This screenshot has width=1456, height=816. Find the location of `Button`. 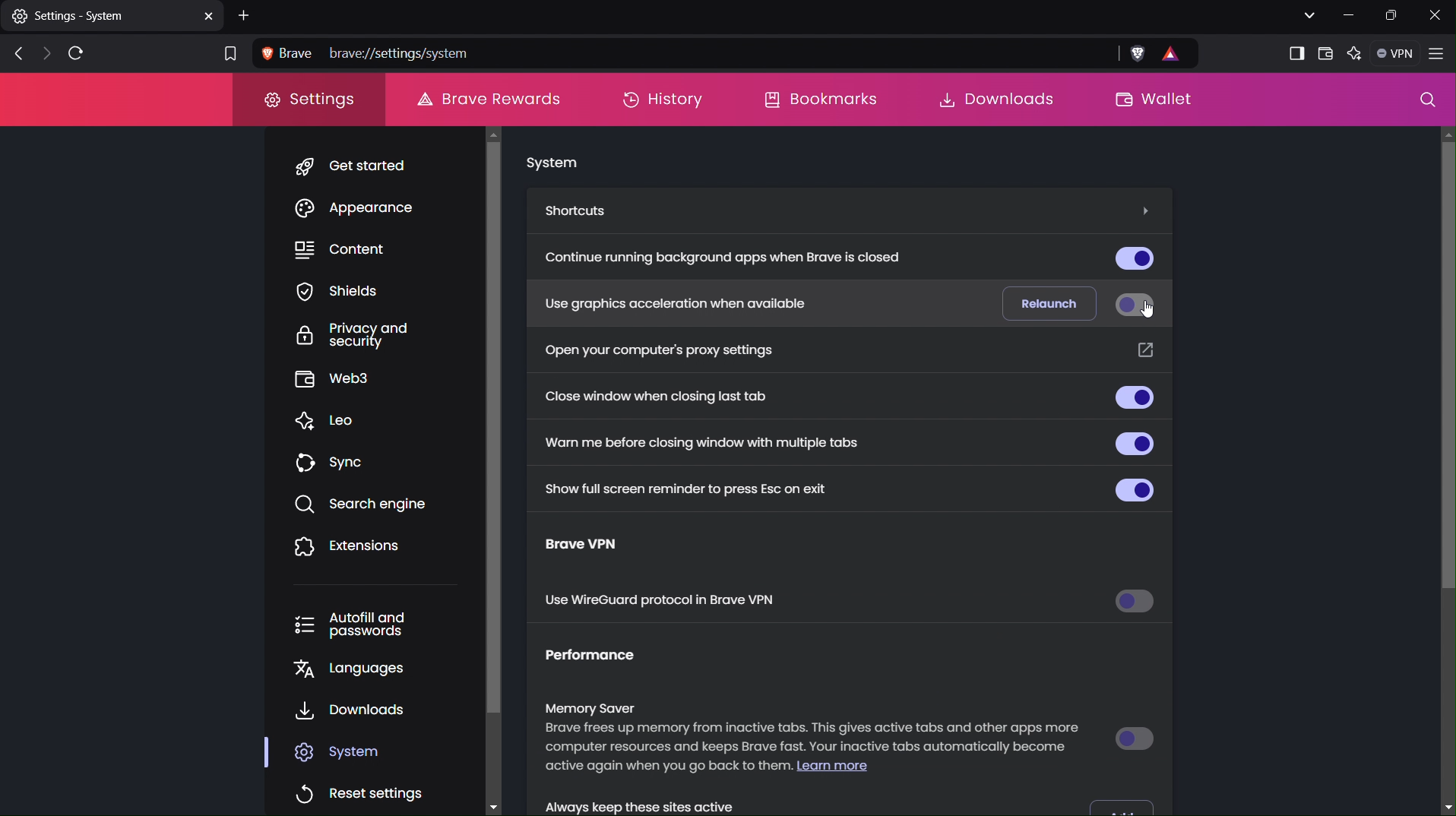

Button is located at coordinates (1137, 604).